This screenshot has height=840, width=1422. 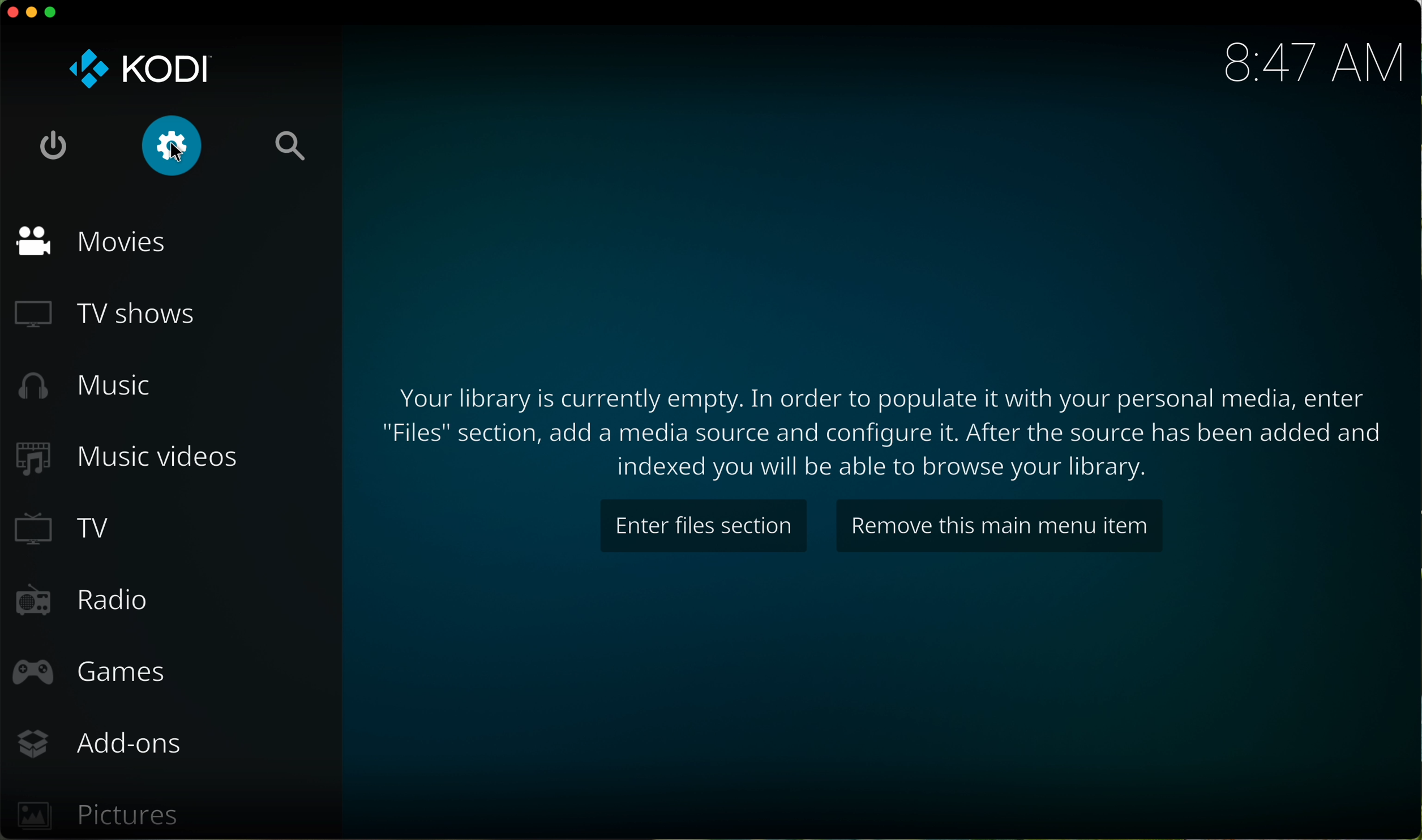 I want to click on cursor, so click(x=175, y=153).